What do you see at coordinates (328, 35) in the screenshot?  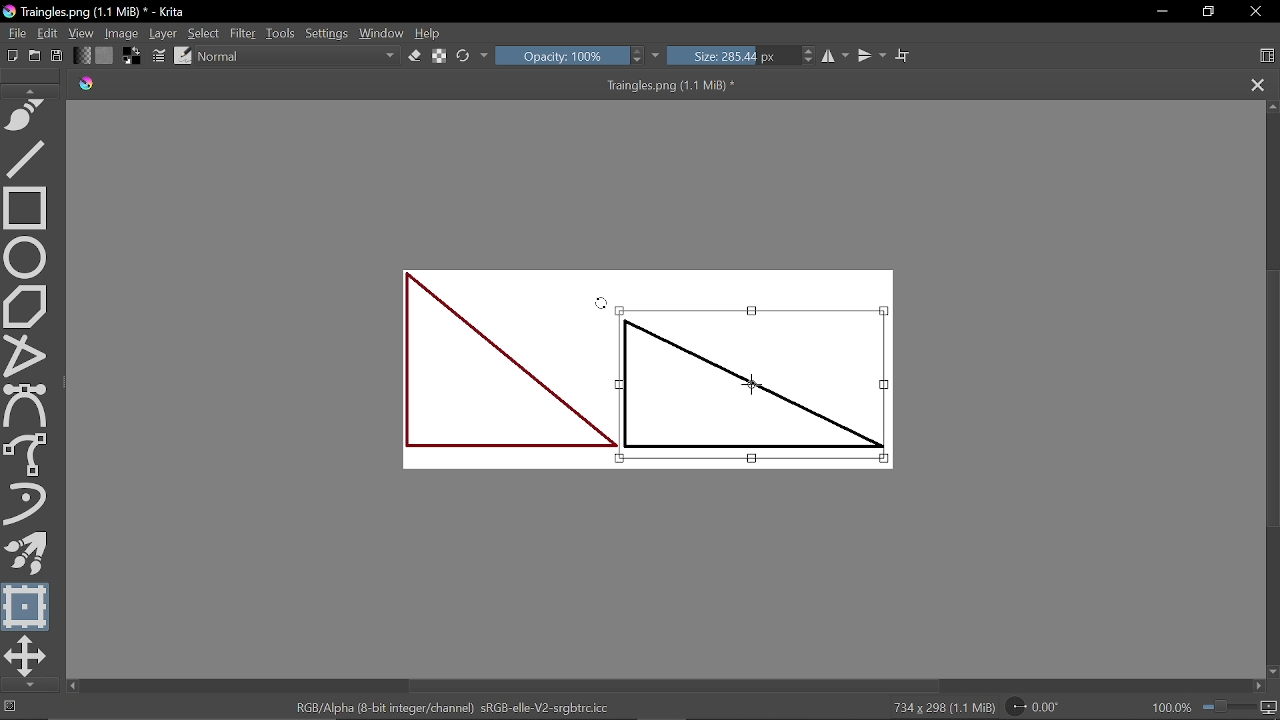 I see `Settings` at bounding box center [328, 35].